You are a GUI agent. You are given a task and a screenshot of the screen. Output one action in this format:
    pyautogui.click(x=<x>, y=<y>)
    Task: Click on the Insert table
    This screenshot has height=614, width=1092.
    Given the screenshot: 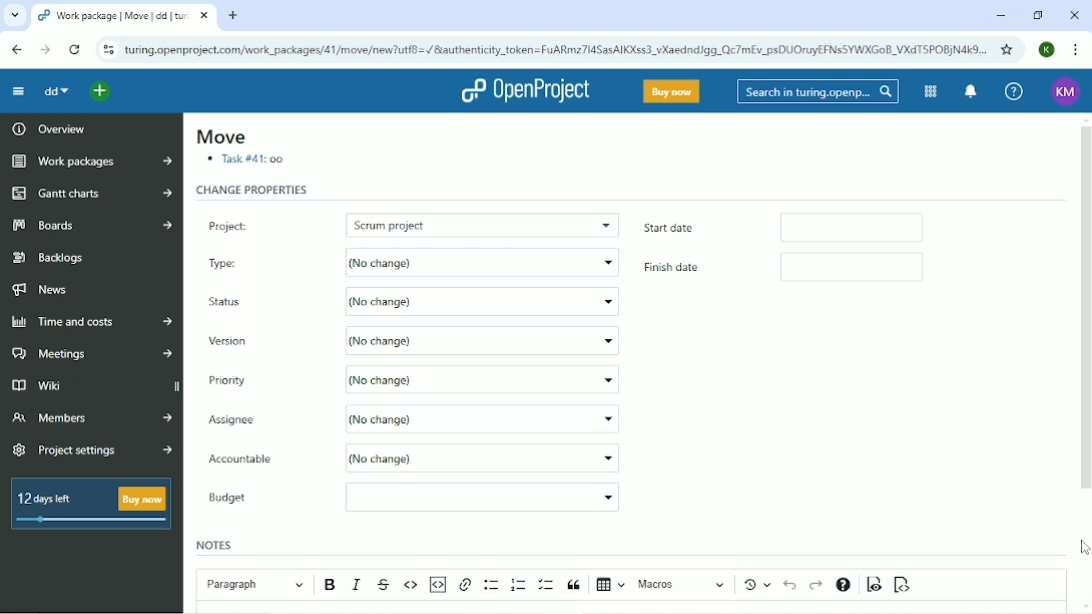 What is the action you would take?
    pyautogui.click(x=611, y=586)
    